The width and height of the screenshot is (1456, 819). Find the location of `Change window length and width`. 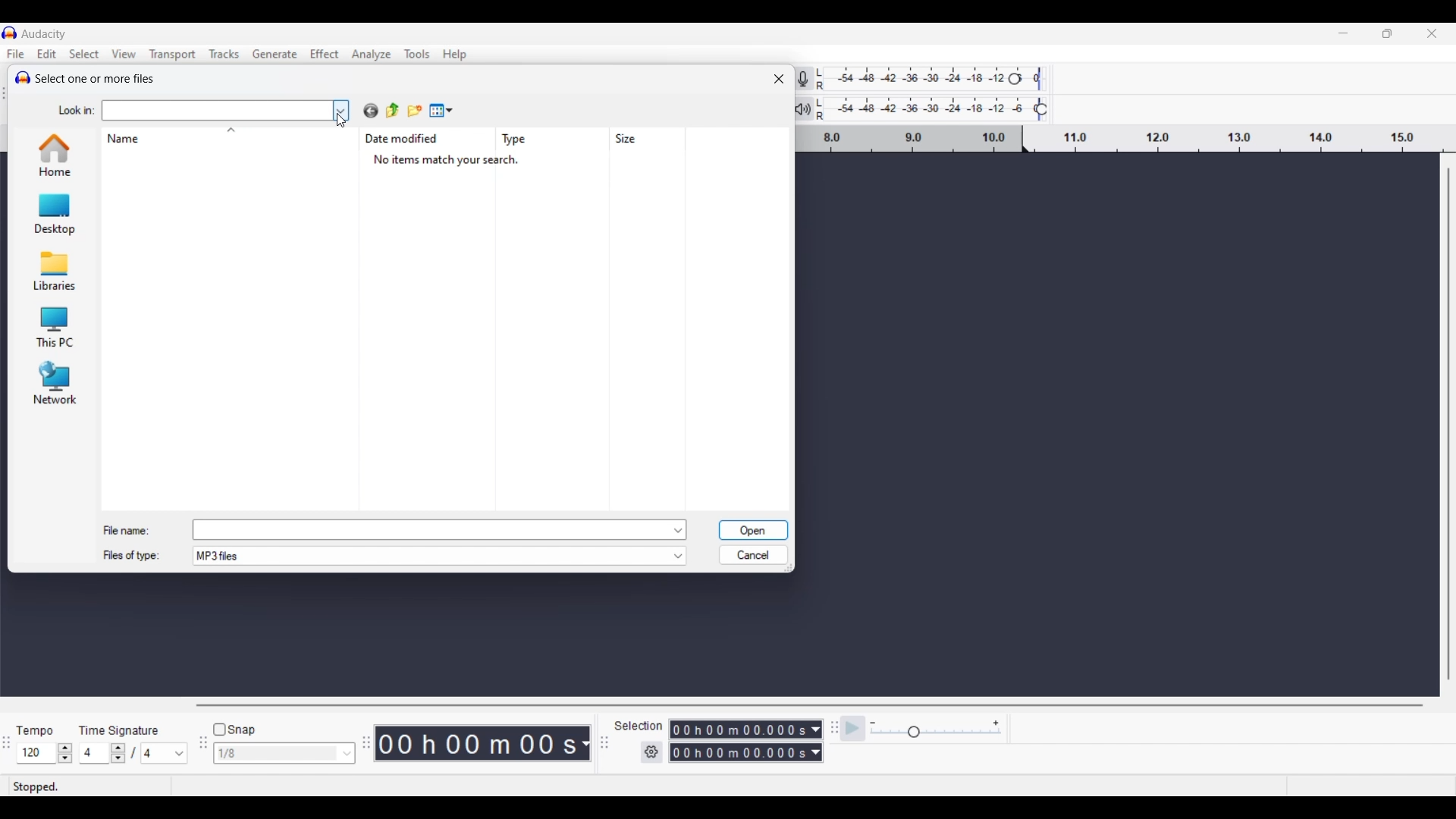

Change window length and width is located at coordinates (792, 571).